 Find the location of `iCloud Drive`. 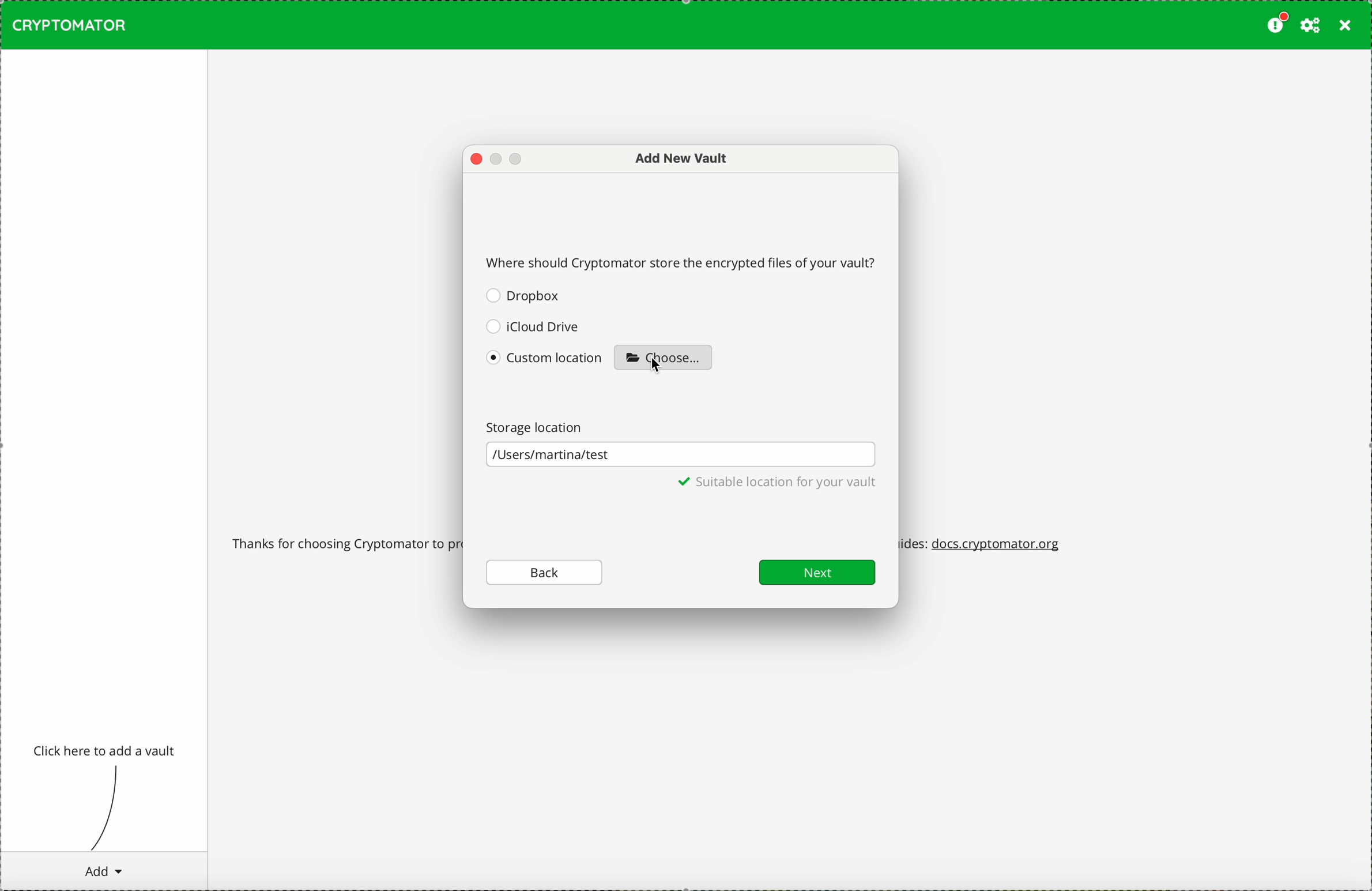

iCloud Drive is located at coordinates (533, 325).